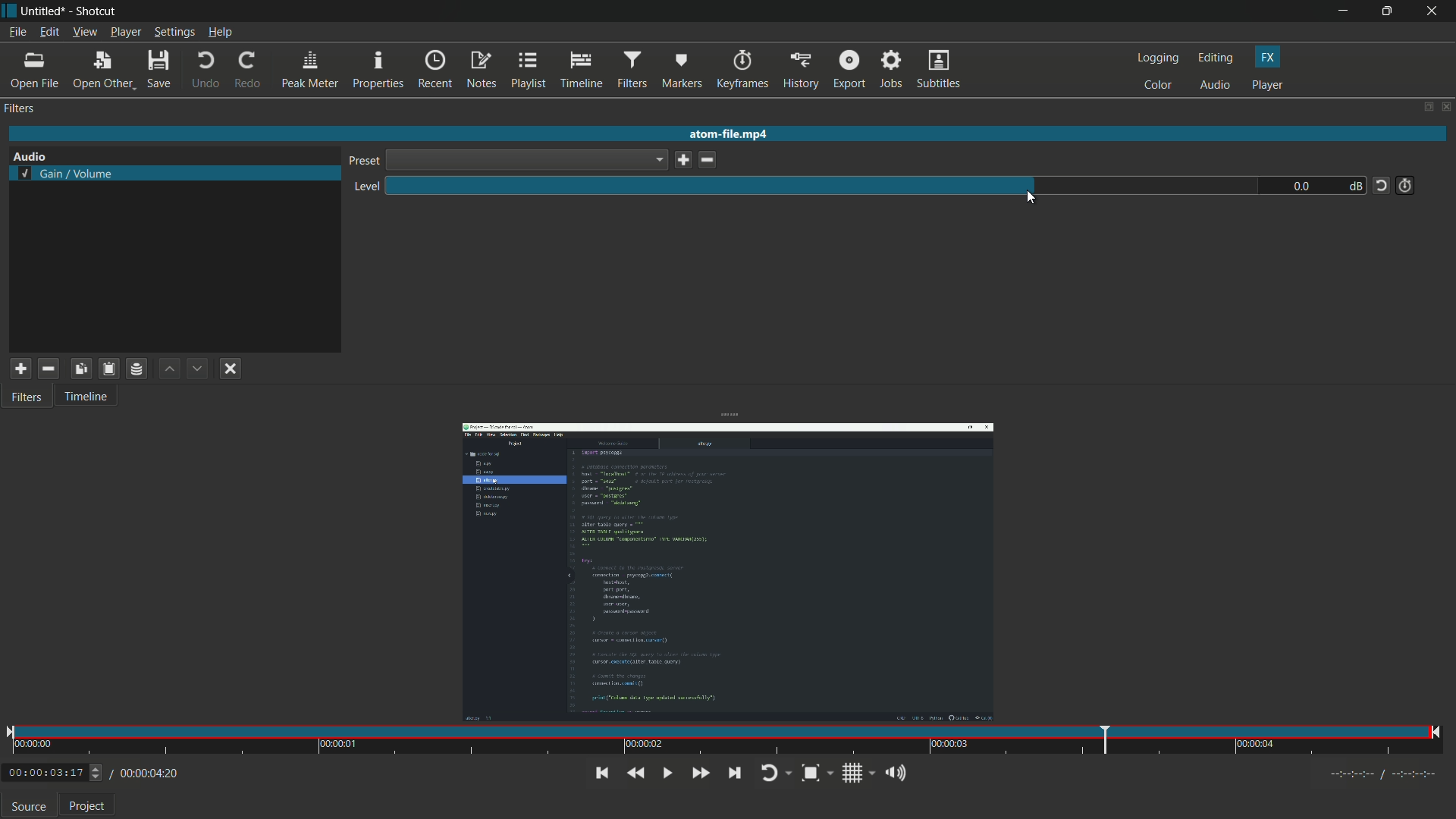 This screenshot has width=1456, height=819. I want to click on show volume control, so click(900, 775).